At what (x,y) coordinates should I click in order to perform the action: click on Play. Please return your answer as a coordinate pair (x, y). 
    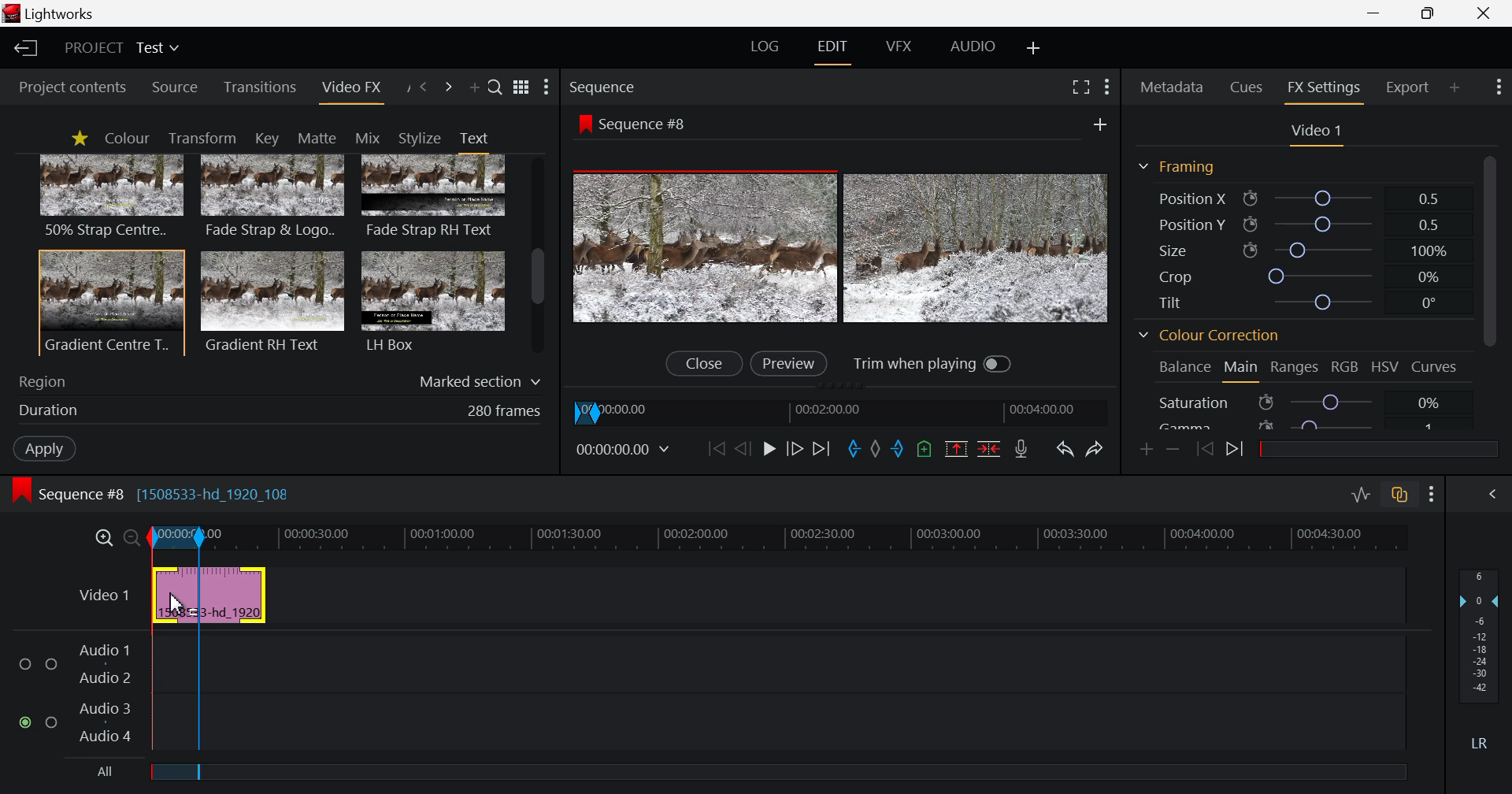
    Looking at the image, I should click on (769, 450).